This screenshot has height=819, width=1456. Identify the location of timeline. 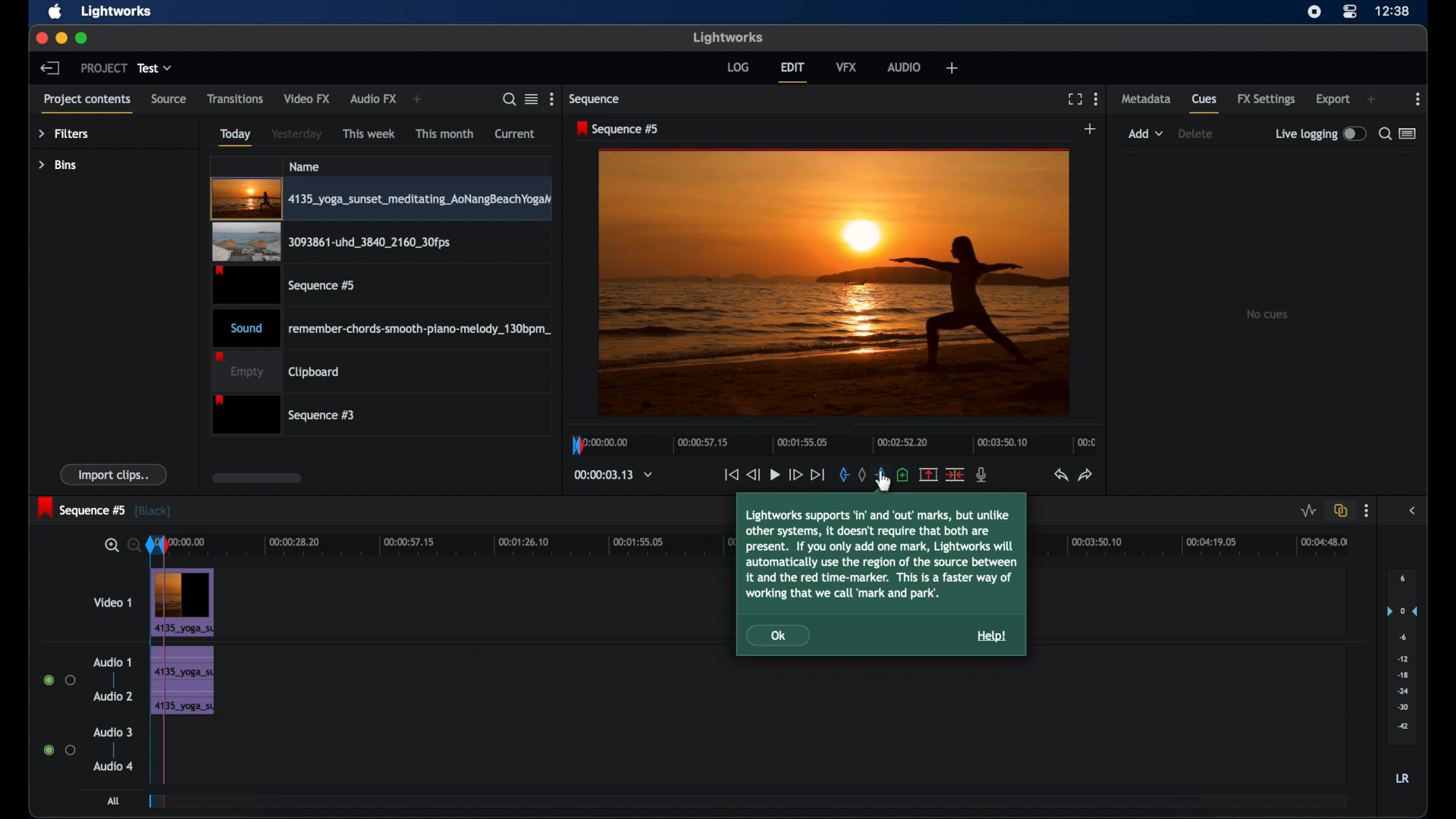
(1236, 543).